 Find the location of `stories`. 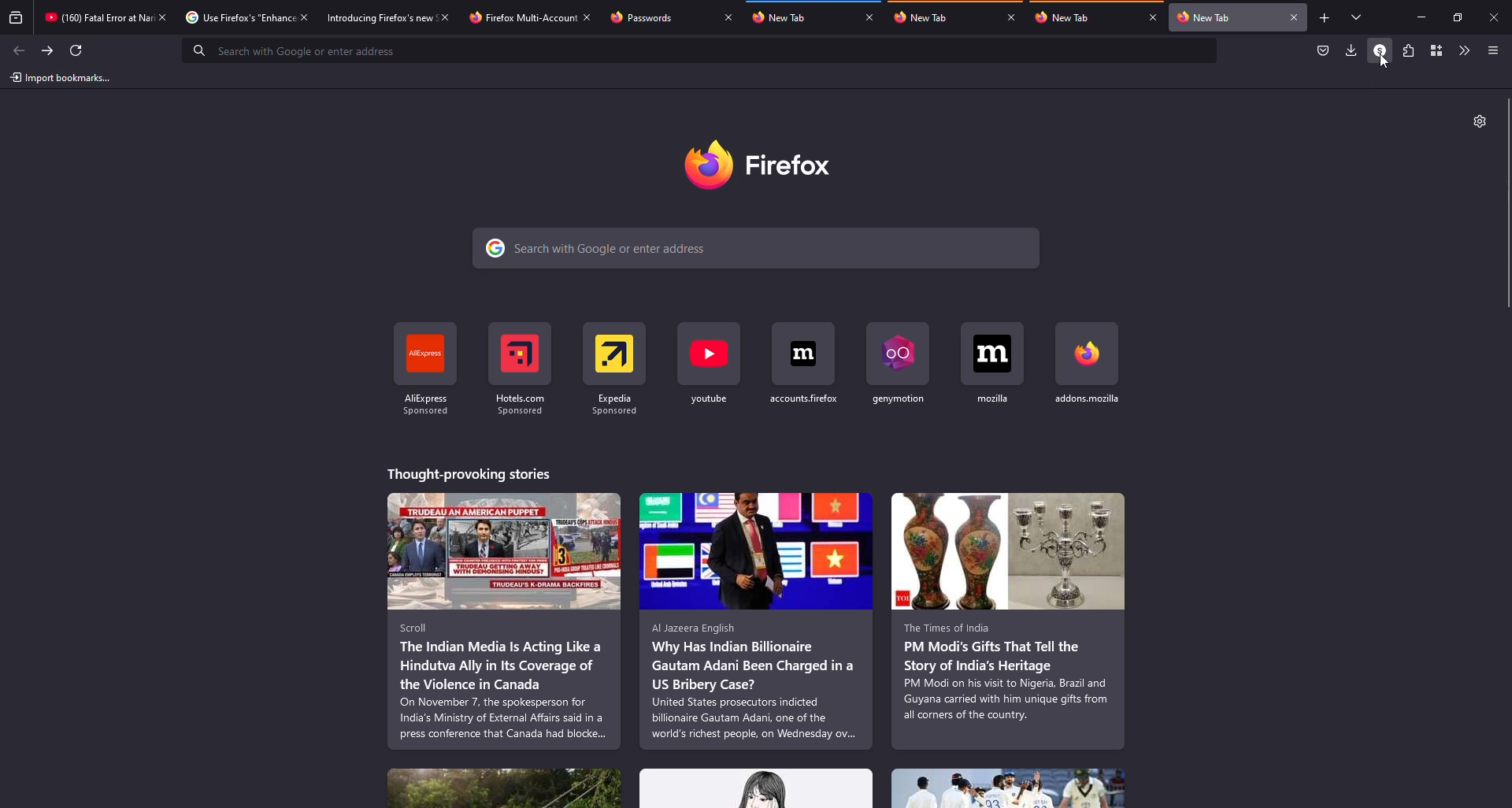

stories is located at coordinates (1010, 621).